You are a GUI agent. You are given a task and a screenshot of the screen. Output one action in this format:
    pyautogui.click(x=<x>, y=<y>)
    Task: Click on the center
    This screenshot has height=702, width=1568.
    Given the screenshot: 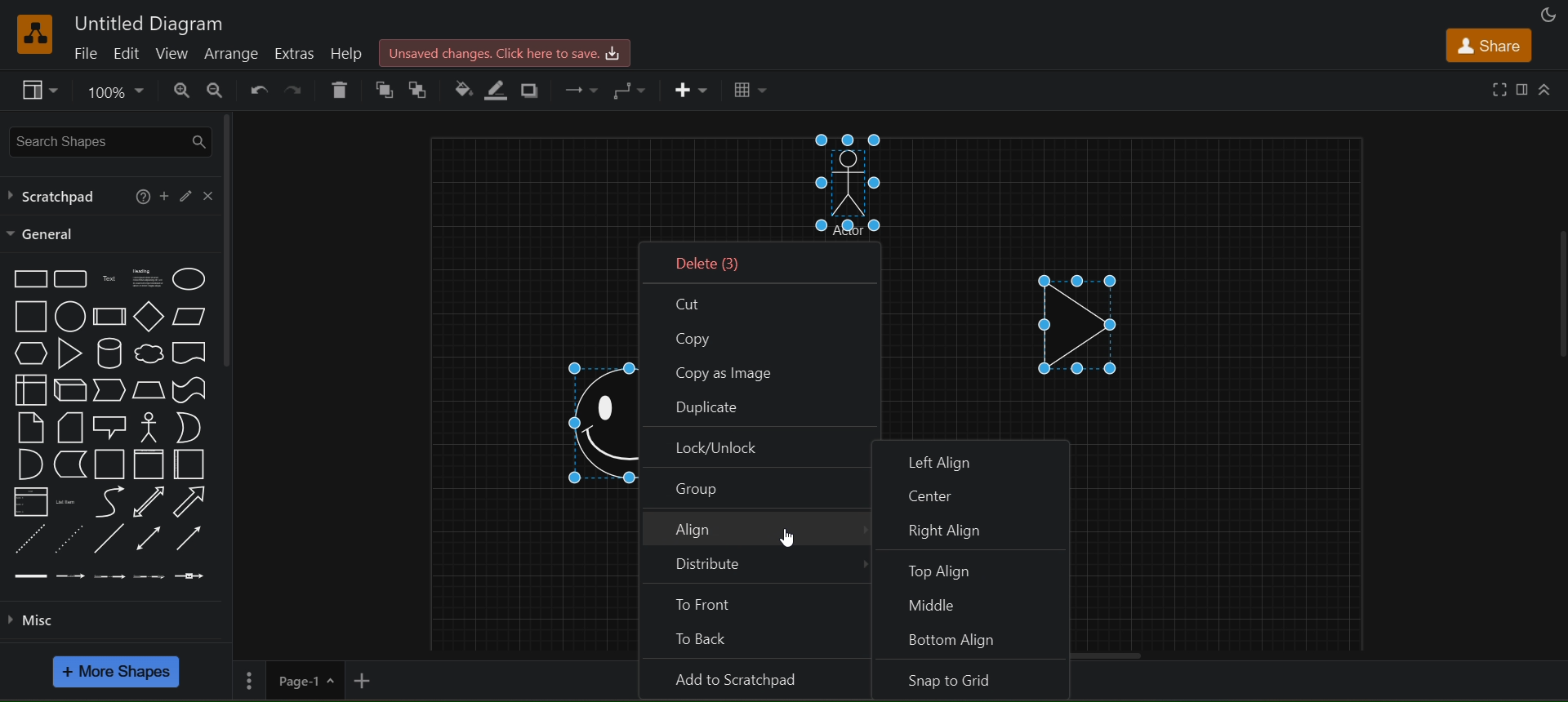 What is the action you would take?
    pyautogui.click(x=973, y=491)
    